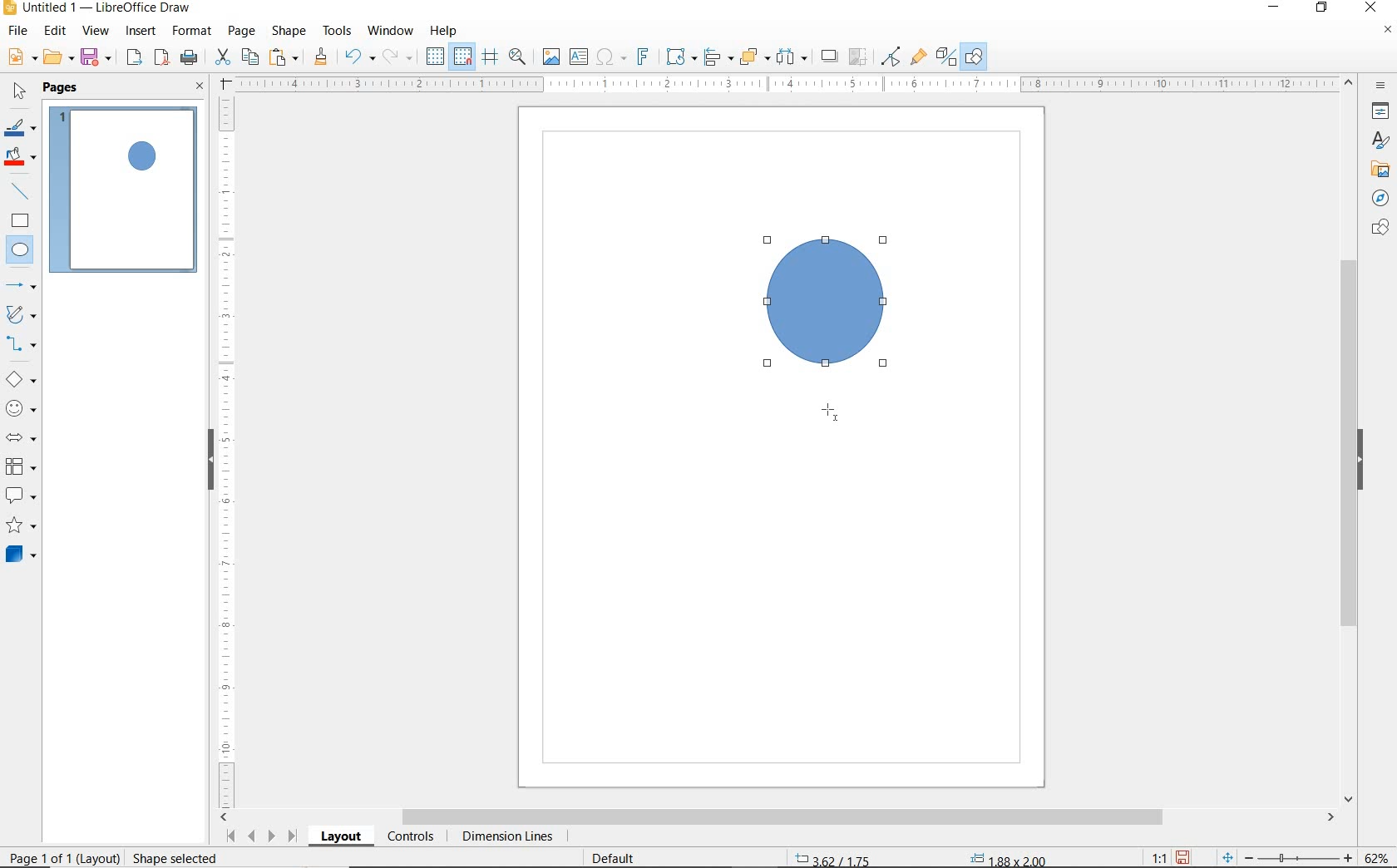 The image size is (1397, 868). Describe the element at coordinates (21, 251) in the screenshot. I see `ELLIPSE` at that location.